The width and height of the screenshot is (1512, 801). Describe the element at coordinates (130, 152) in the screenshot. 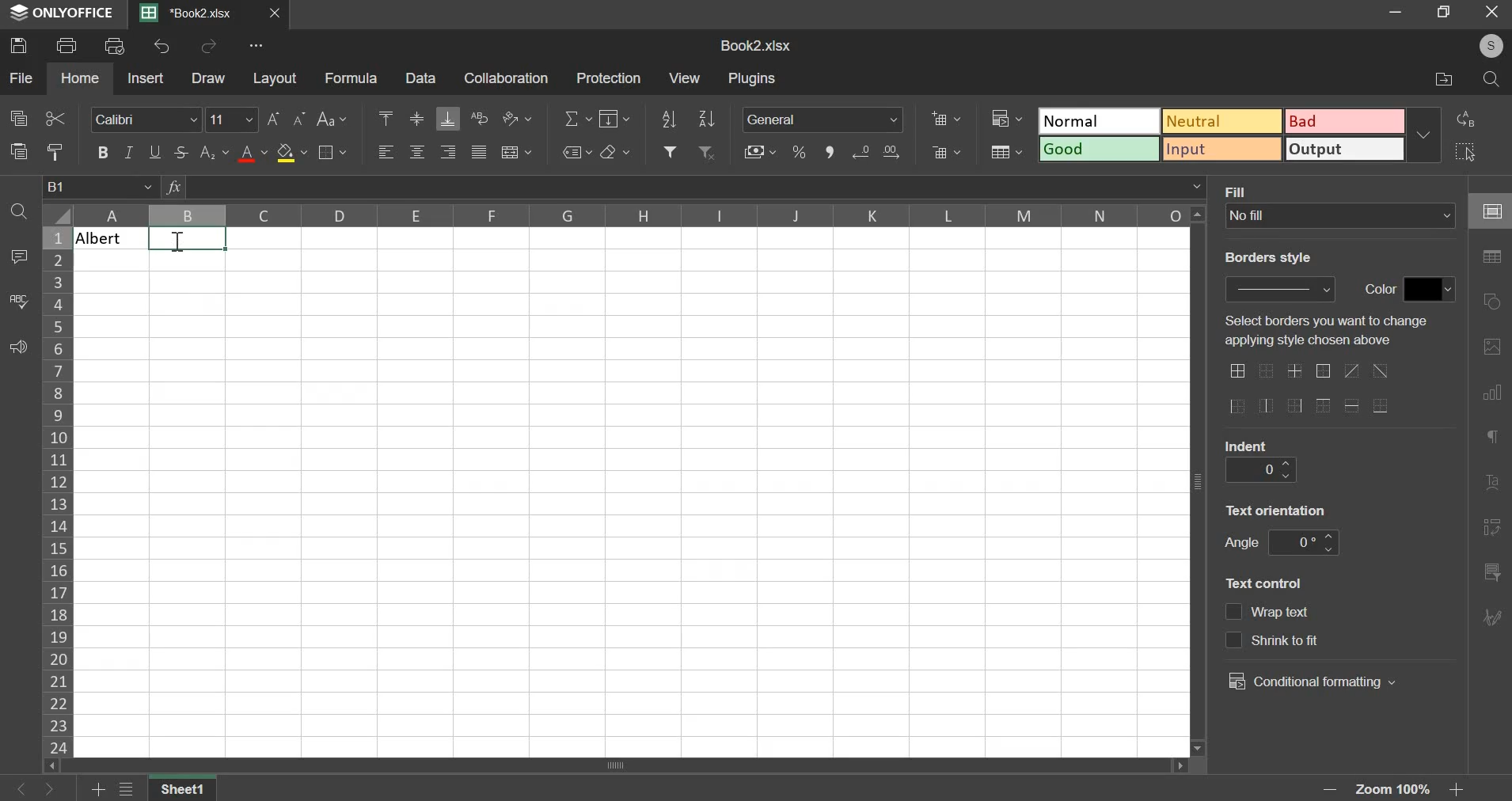

I see `italic` at that location.